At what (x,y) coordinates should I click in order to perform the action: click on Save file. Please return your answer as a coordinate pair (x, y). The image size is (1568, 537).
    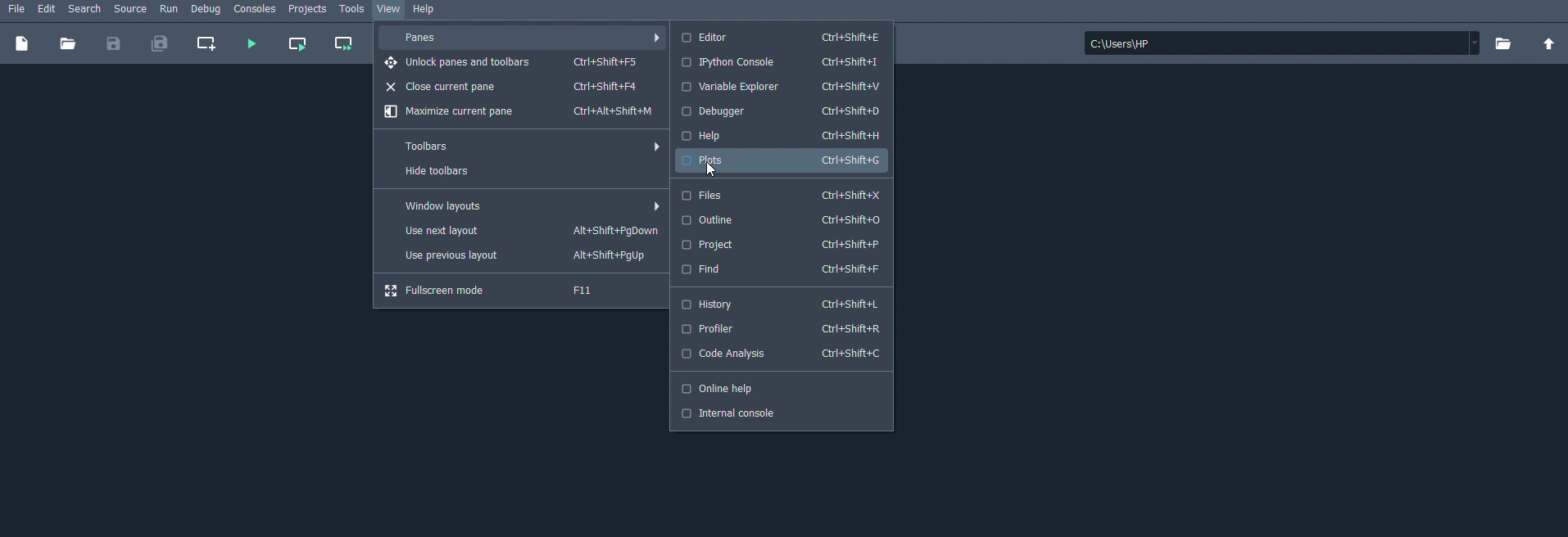
    Looking at the image, I should click on (113, 43).